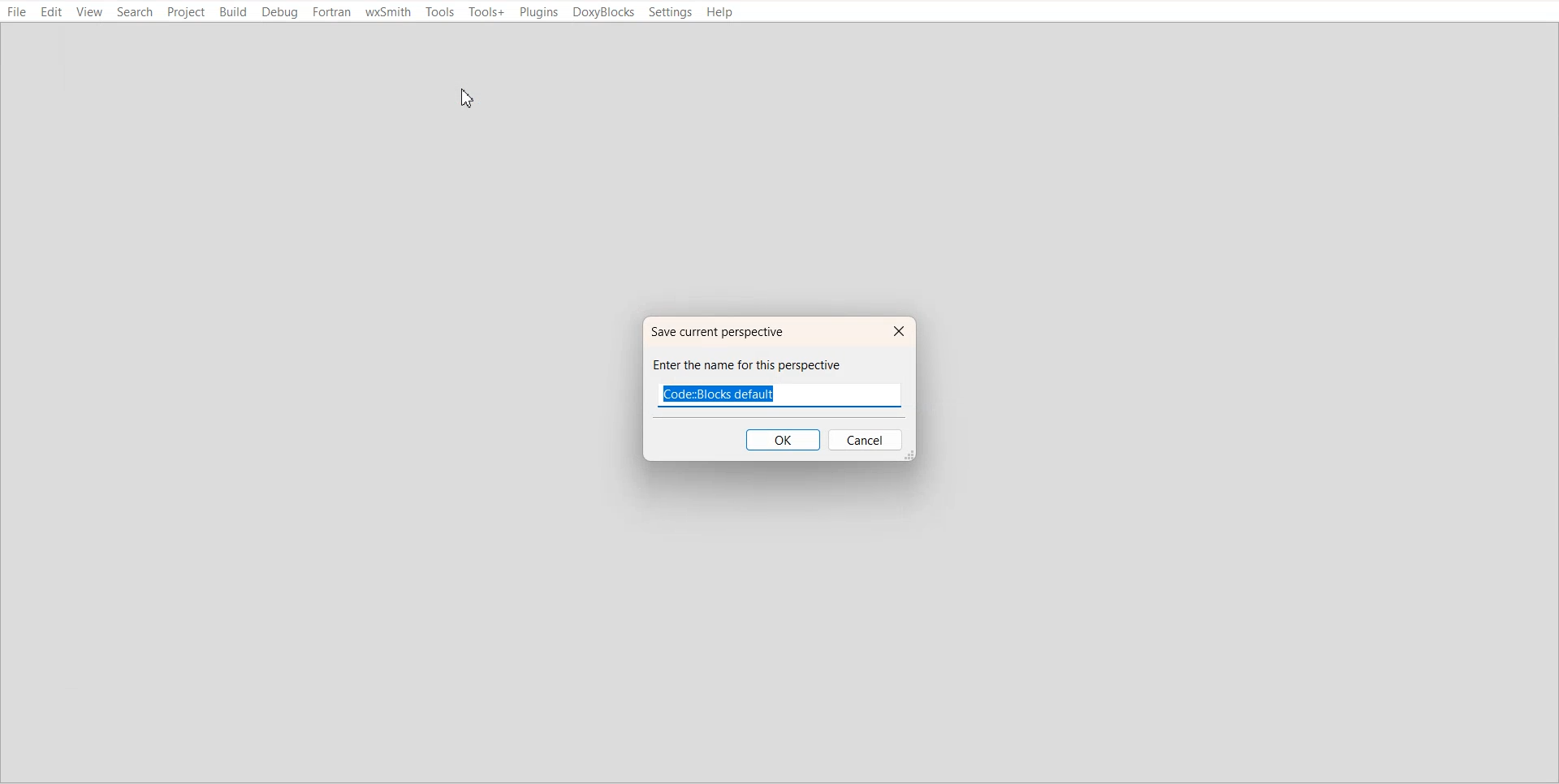 Image resolution: width=1559 pixels, height=784 pixels. I want to click on Project, so click(187, 13).